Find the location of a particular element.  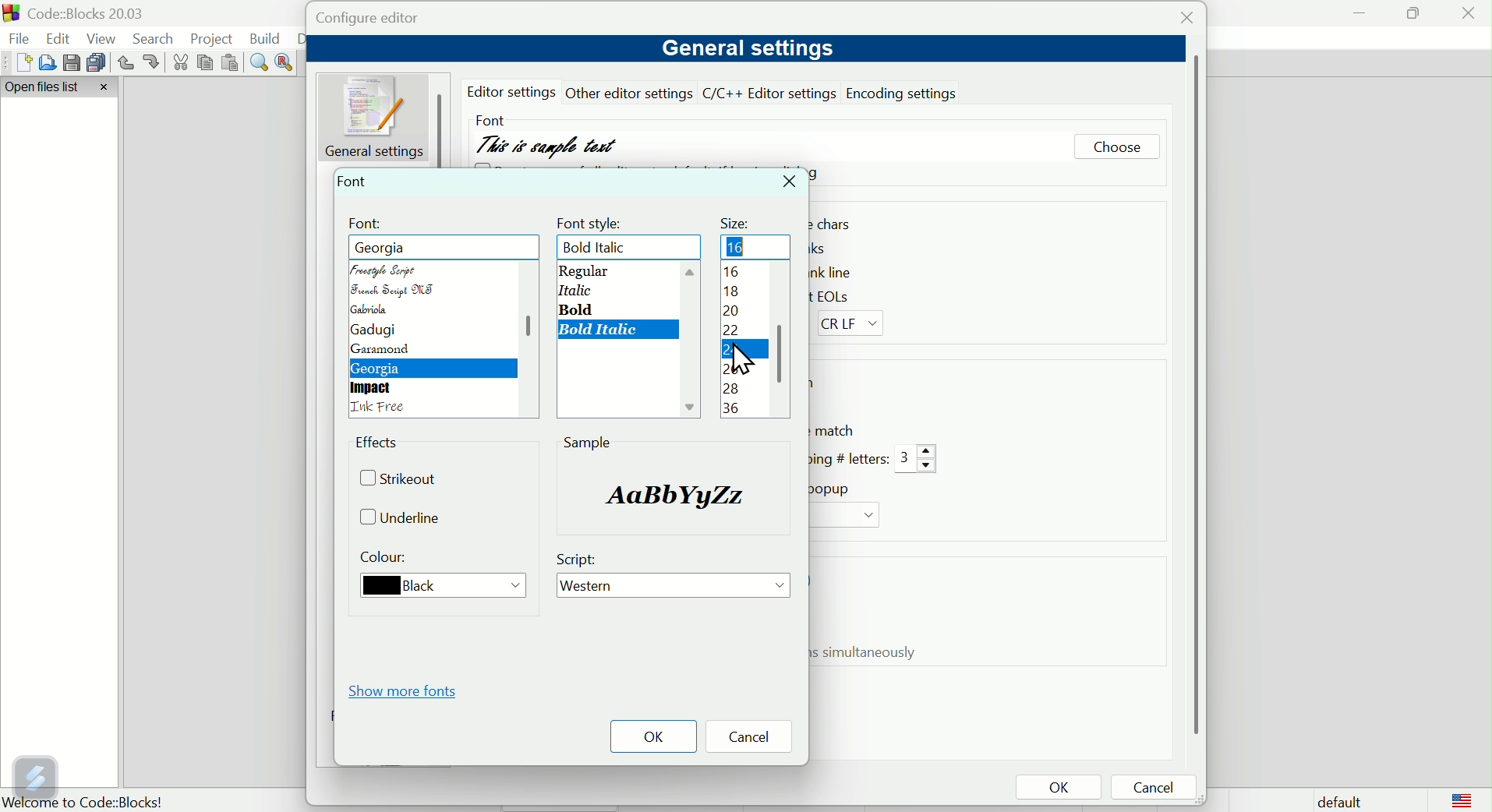

minimise is located at coordinates (1360, 12).